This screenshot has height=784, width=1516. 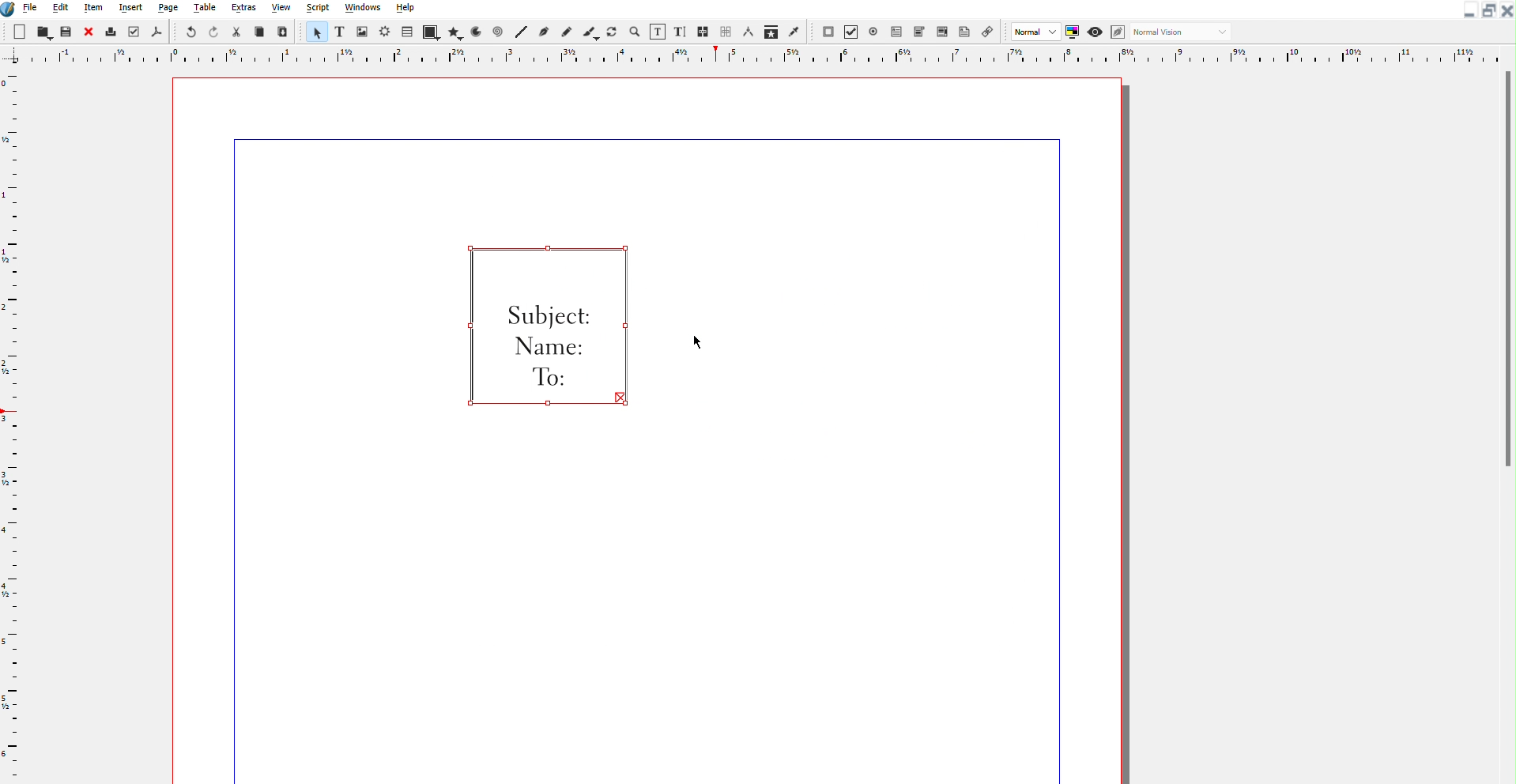 What do you see at coordinates (1506, 10) in the screenshot?
I see `Close` at bounding box center [1506, 10].